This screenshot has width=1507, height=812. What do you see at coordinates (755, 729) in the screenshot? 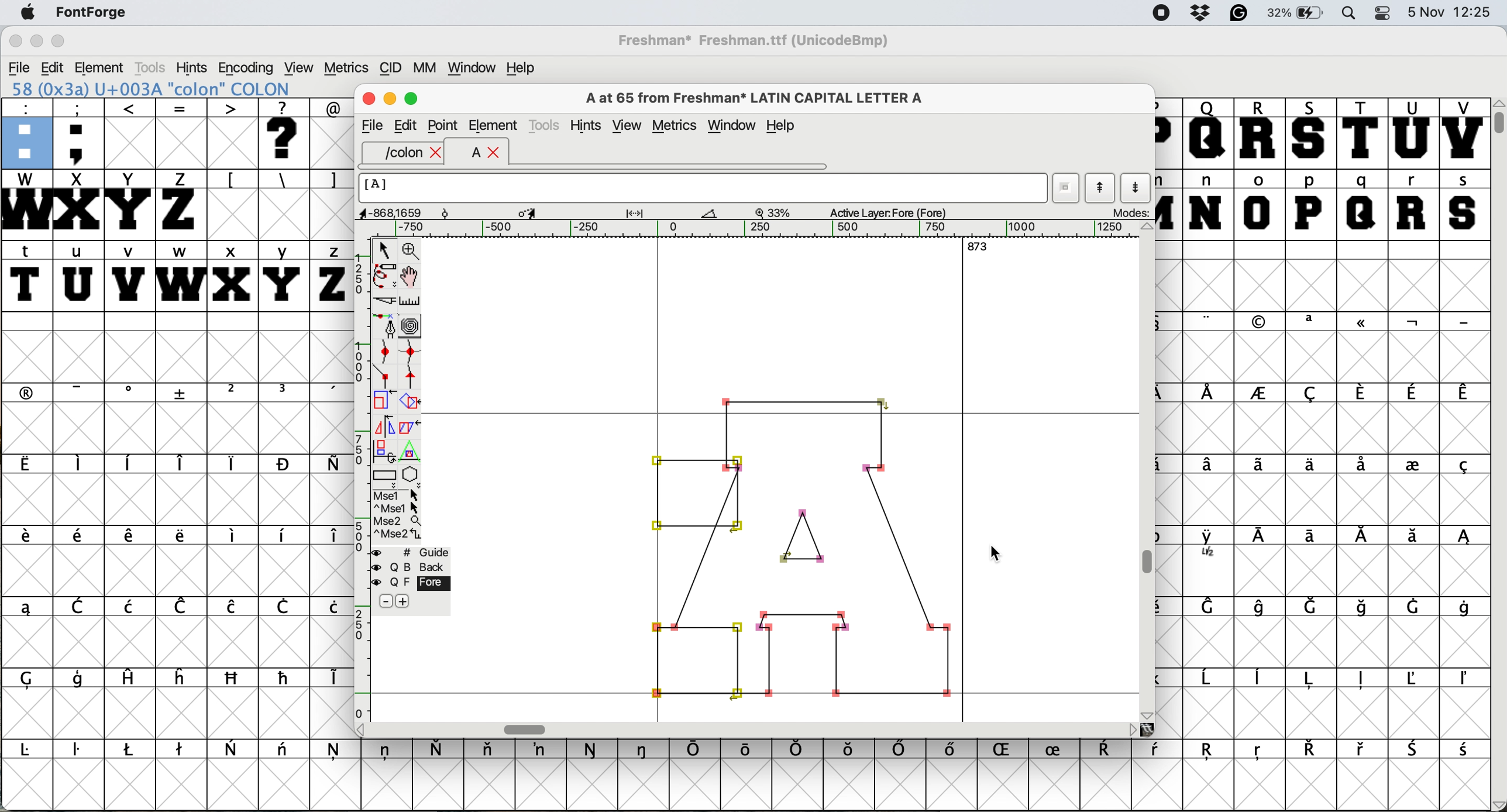
I see `horizontal scroll bar` at bounding box center [755, 729].